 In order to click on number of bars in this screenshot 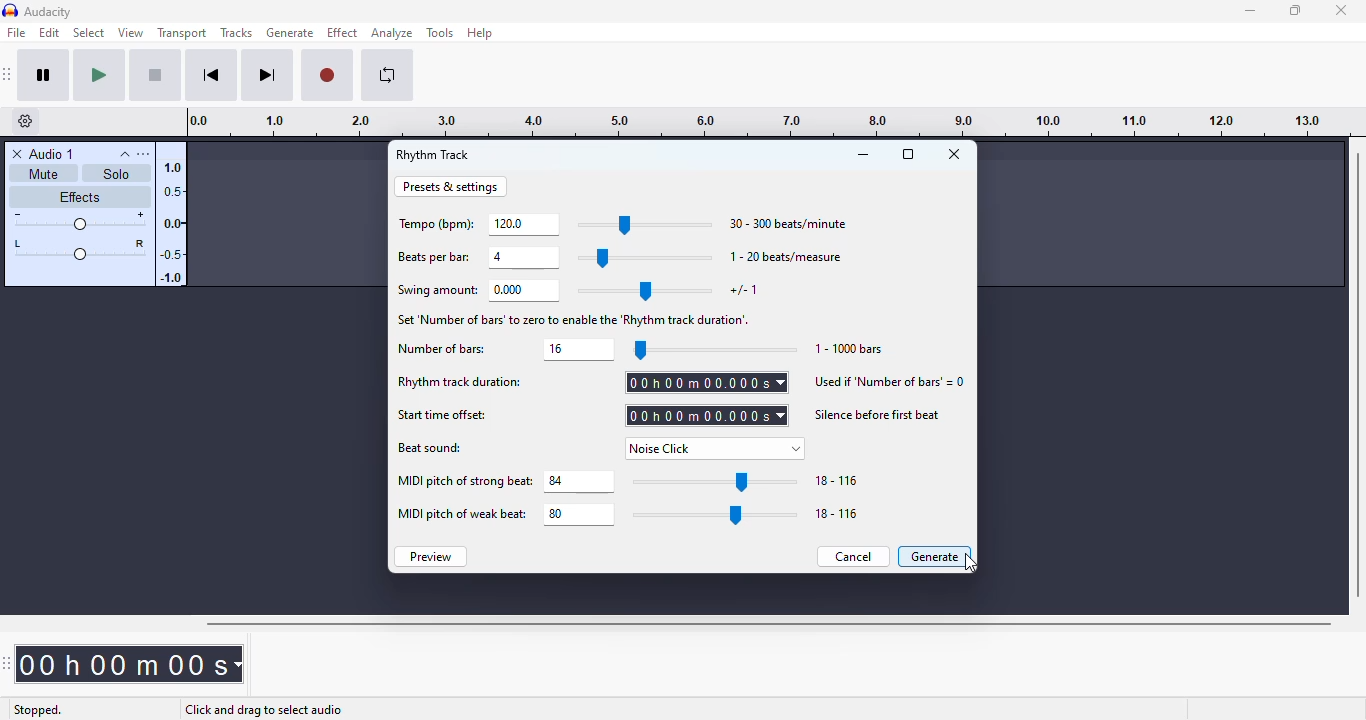, I will do `click(442, 349)`.